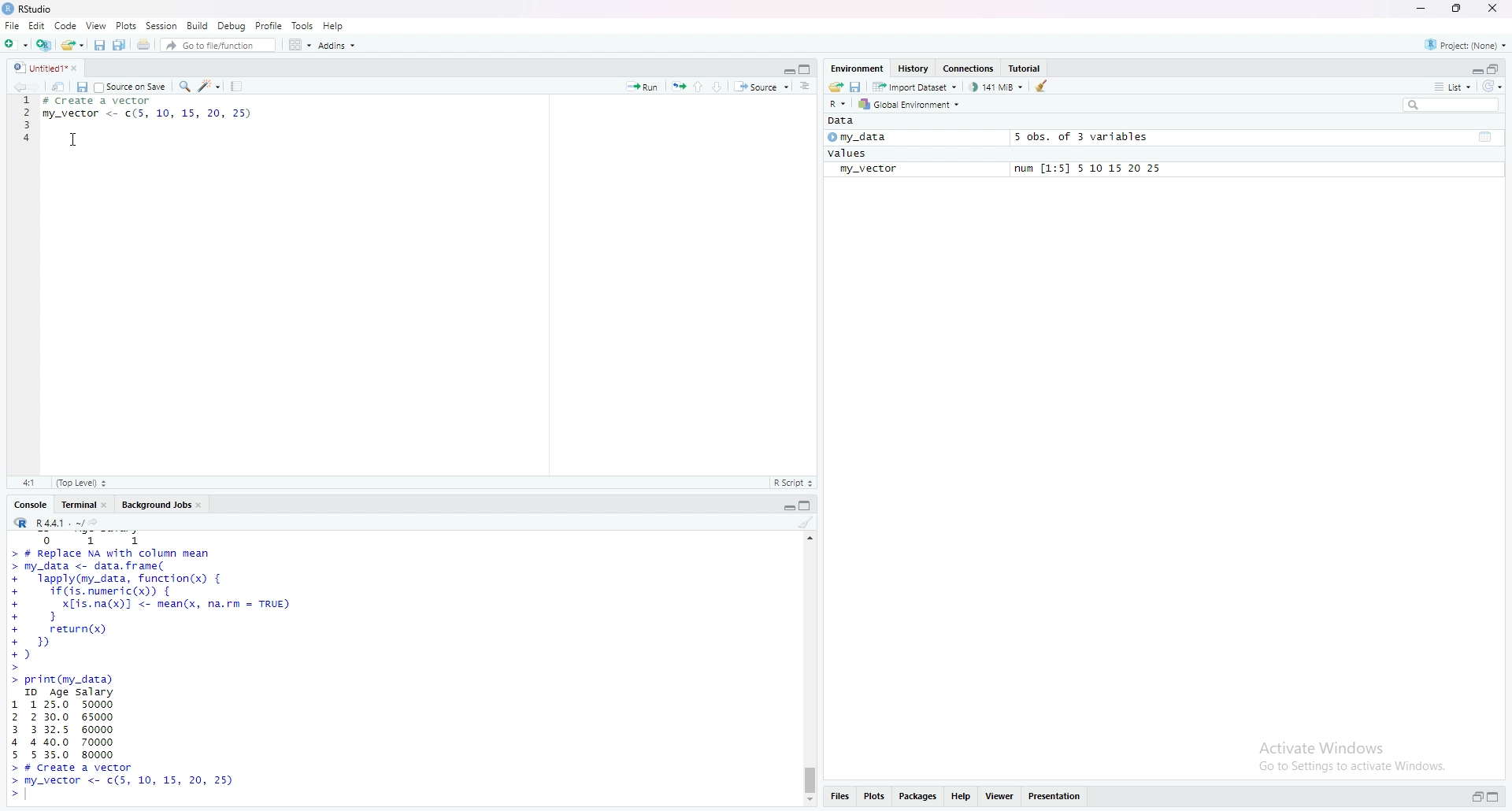 Image resolution: width=1512 pixels, height=811 pixels. Describe the element at coordinates (857, 87) in the screenshot. I see `save workspace` at that location.